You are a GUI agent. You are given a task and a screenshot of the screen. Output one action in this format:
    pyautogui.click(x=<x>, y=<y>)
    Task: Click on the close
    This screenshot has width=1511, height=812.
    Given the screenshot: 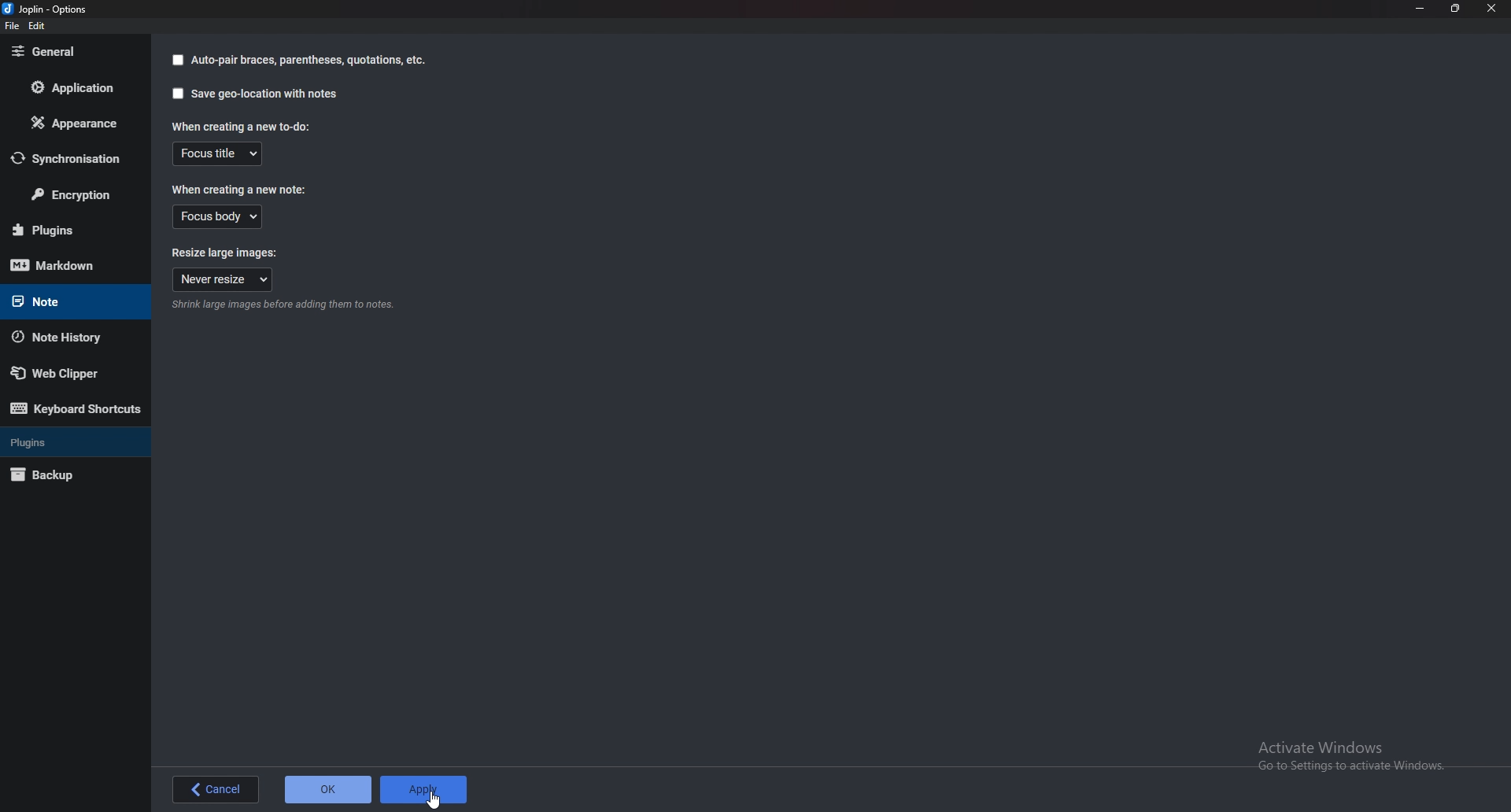 What is the action you would take?
    pyautogui.click(x=1491, y=9)
    